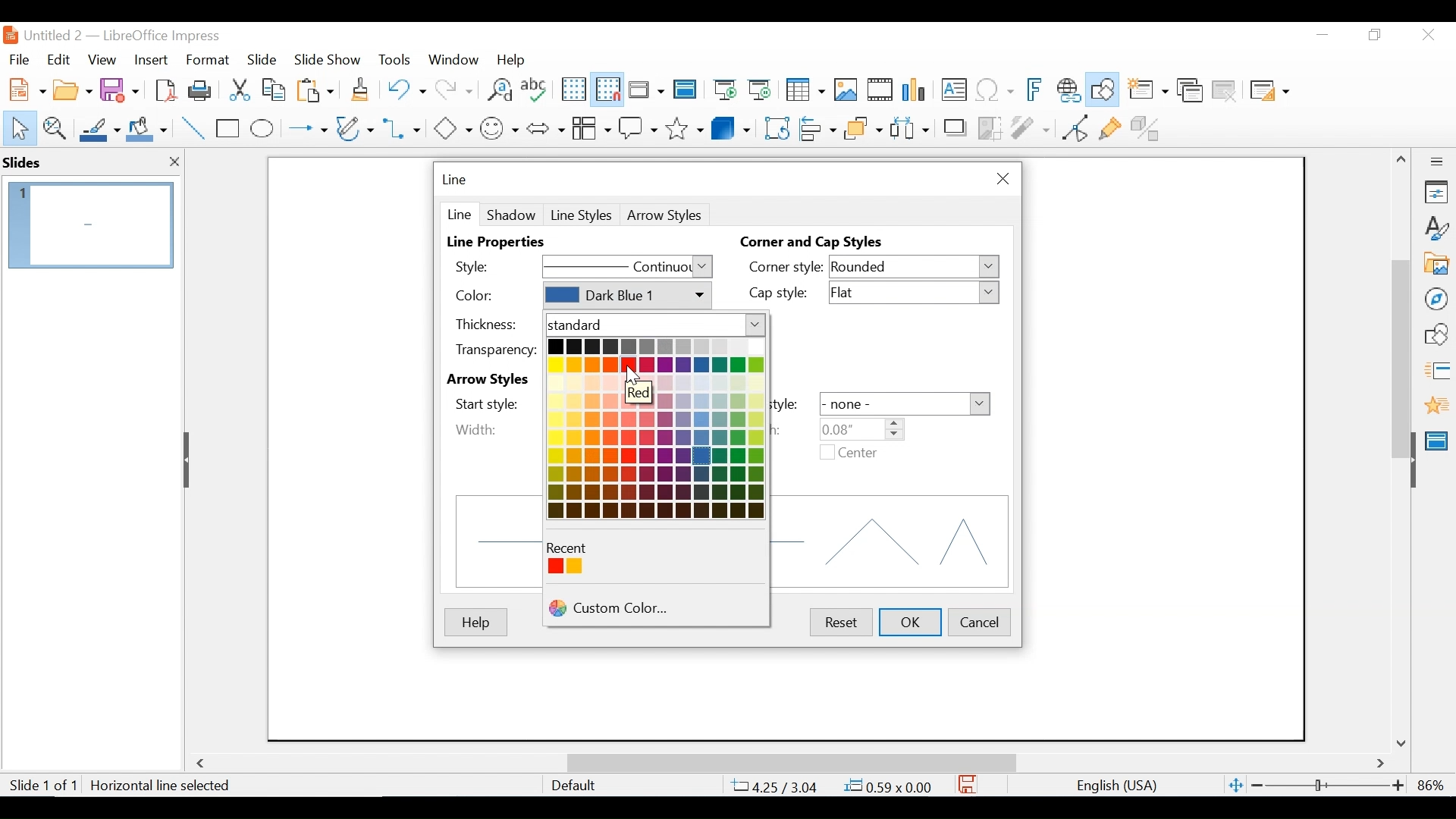  I want to click on Export as PDF, so click(165, 89).